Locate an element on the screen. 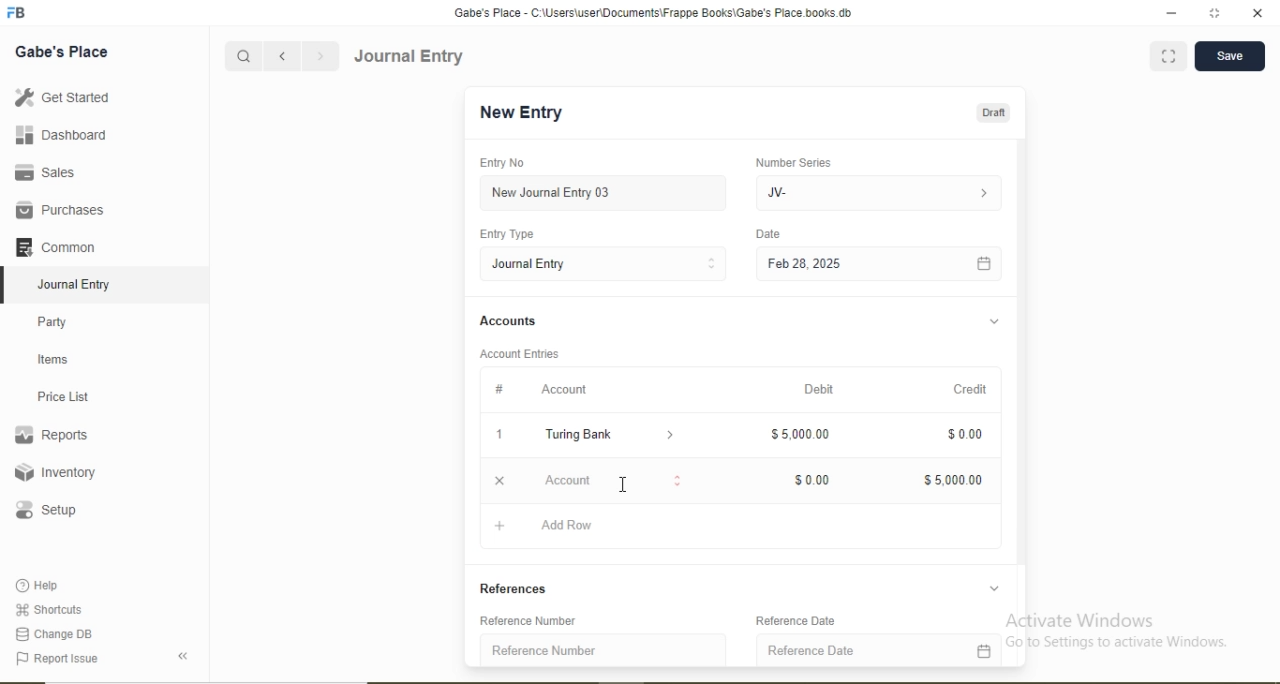 This screenshot has width=1280, height=684. JV- is located at coordinates (777, 193).